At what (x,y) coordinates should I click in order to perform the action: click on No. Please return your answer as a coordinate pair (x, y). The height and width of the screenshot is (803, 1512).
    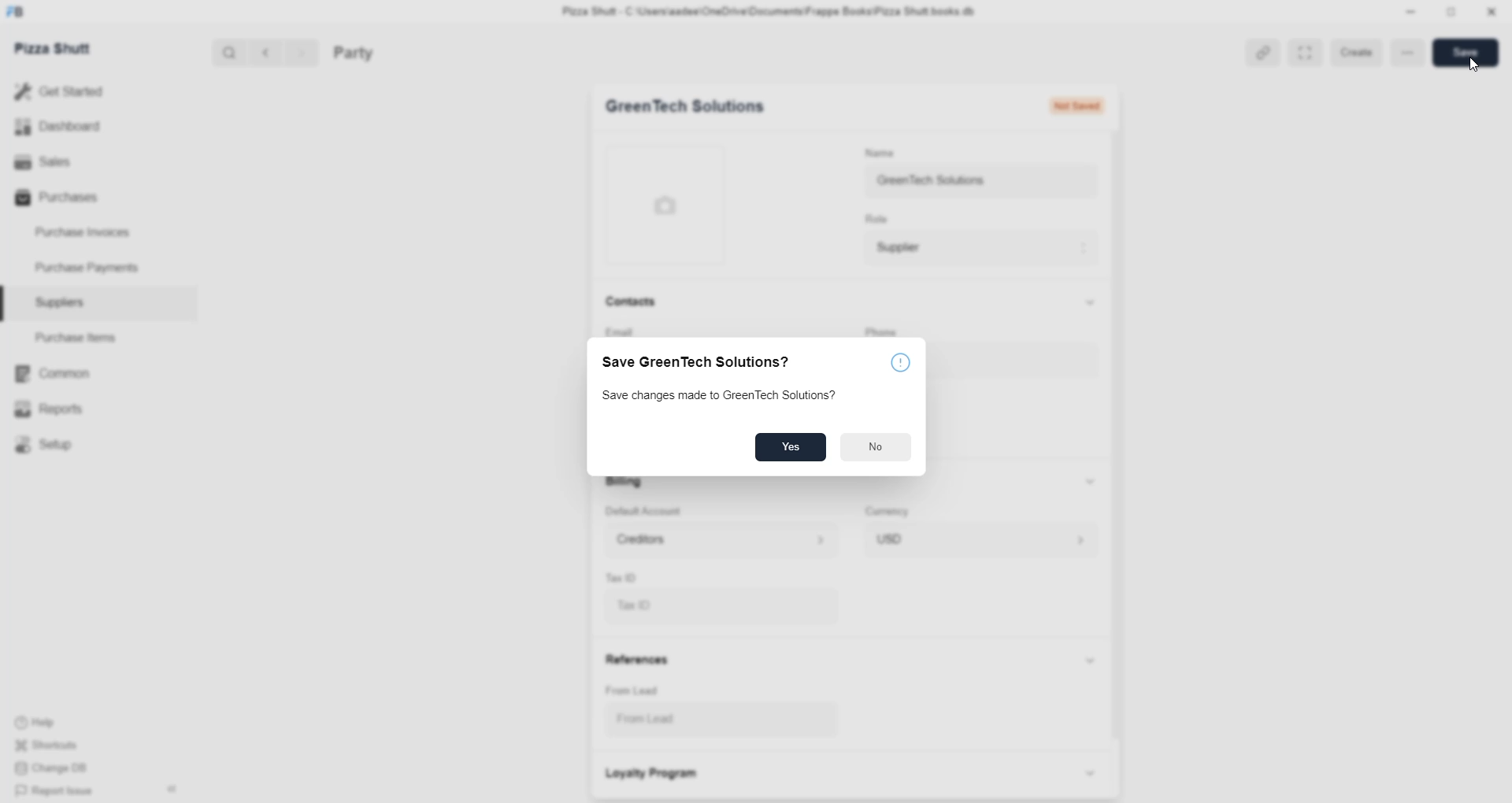
    Looking at the image, I should click on (874, 447).